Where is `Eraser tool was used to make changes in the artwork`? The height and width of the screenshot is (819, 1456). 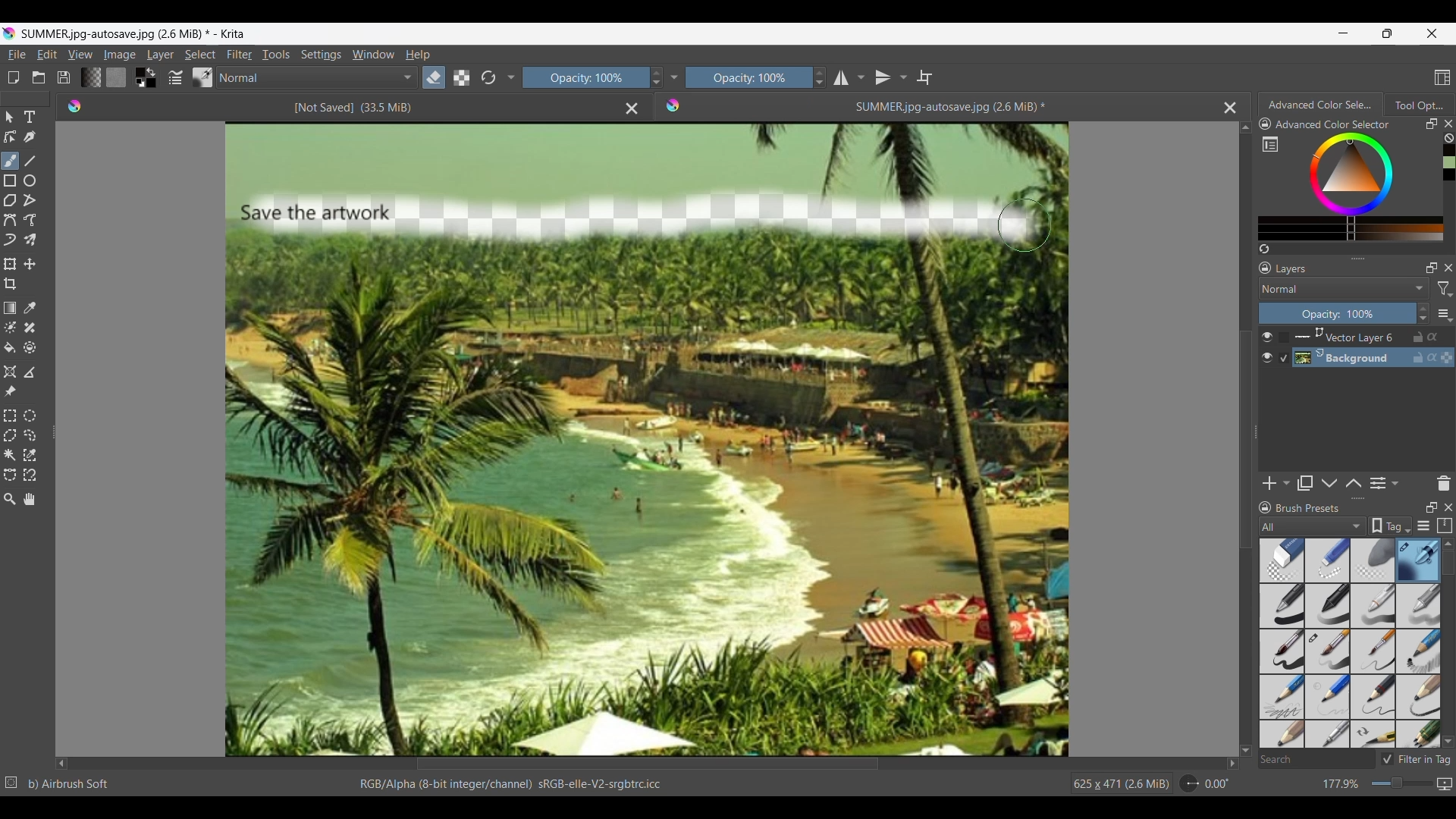 Eraser tool was used to make changes in the artwork is located at coordinates (648, 439).